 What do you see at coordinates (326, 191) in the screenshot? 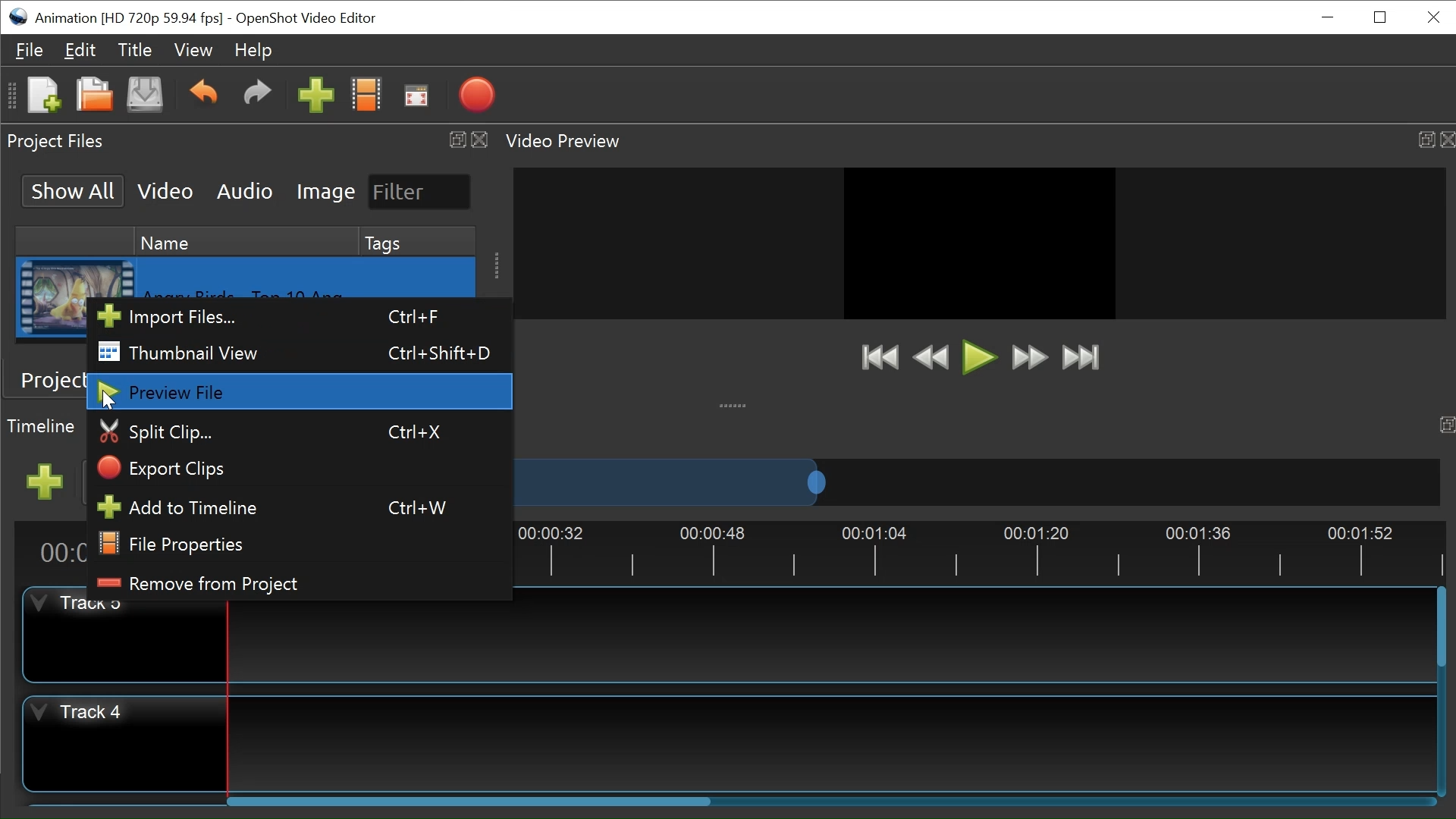
I see `Image` at bounding box center [326, 191].